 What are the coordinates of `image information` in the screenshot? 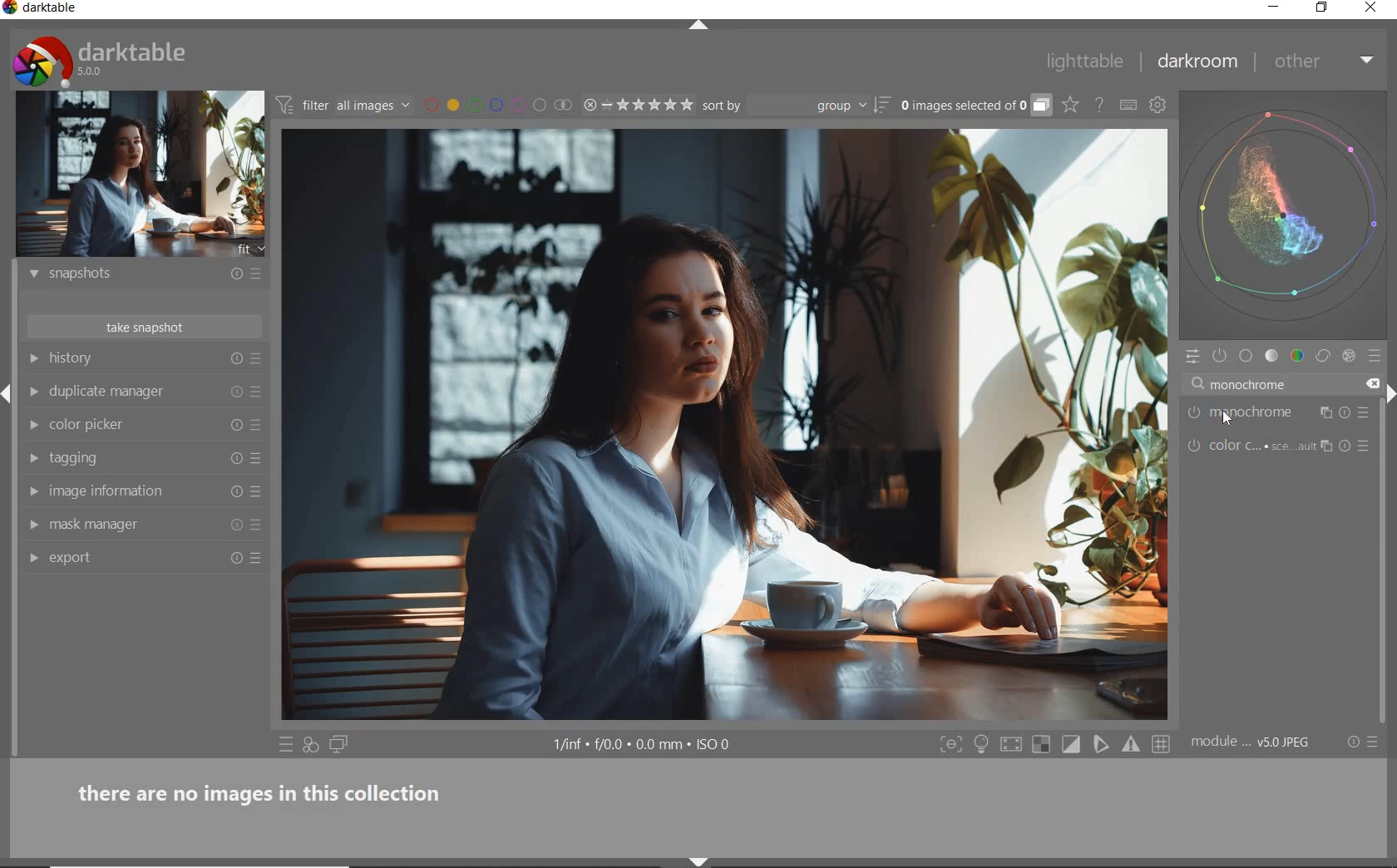 It's located at (132, 491).